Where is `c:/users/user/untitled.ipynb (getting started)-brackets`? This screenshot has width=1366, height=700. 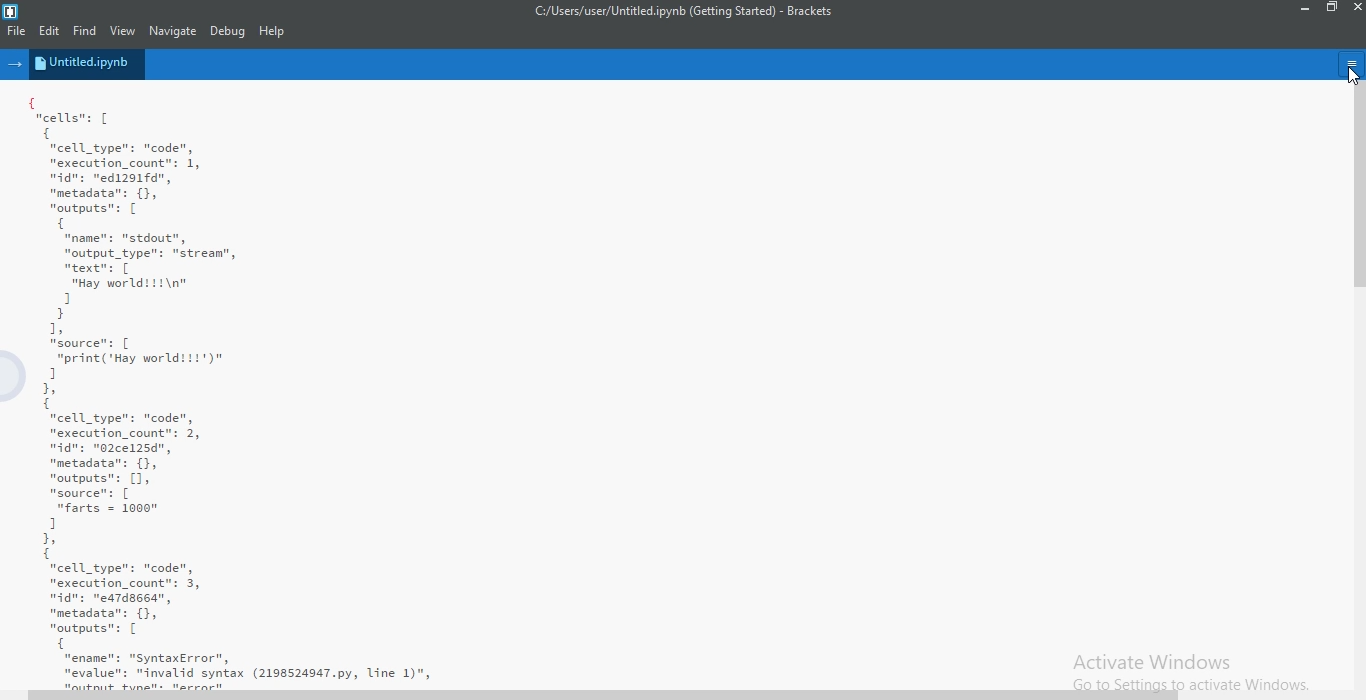
c:/users/user/untitled.ipynb (getting started)-brackets is located at coordinates (681, 14).